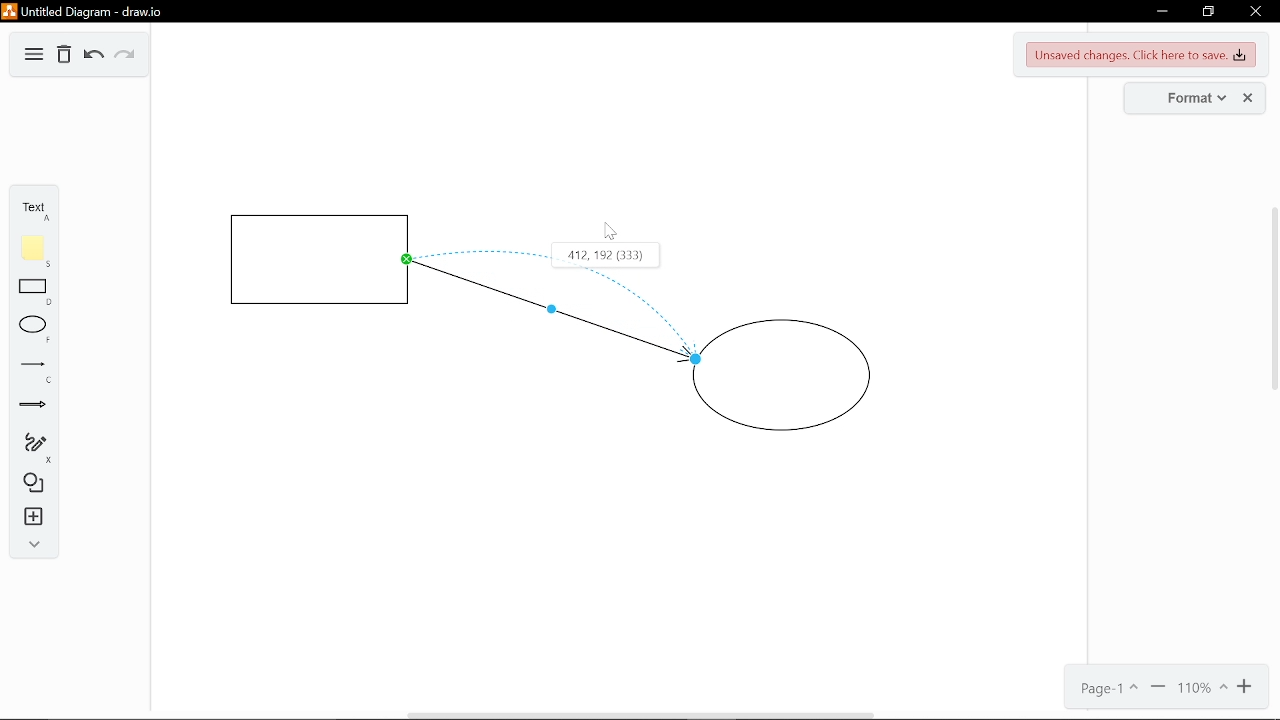 This screenshot has width=1280, height=720. Describe the element at coordinates (33, 248) in the screenshot. I see `Note` at that location.